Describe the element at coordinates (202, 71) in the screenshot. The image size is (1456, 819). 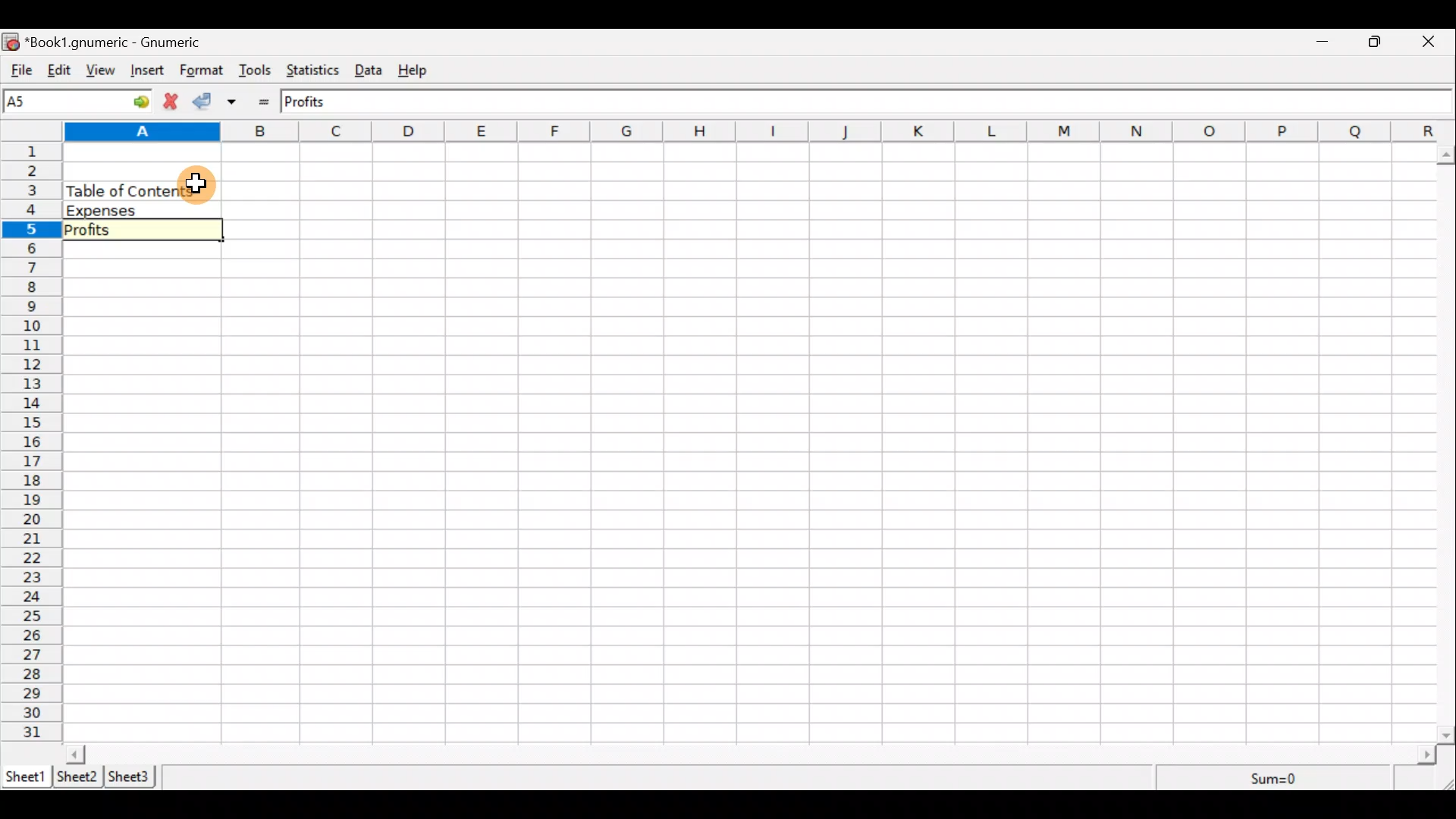
I see `Format` at that location.